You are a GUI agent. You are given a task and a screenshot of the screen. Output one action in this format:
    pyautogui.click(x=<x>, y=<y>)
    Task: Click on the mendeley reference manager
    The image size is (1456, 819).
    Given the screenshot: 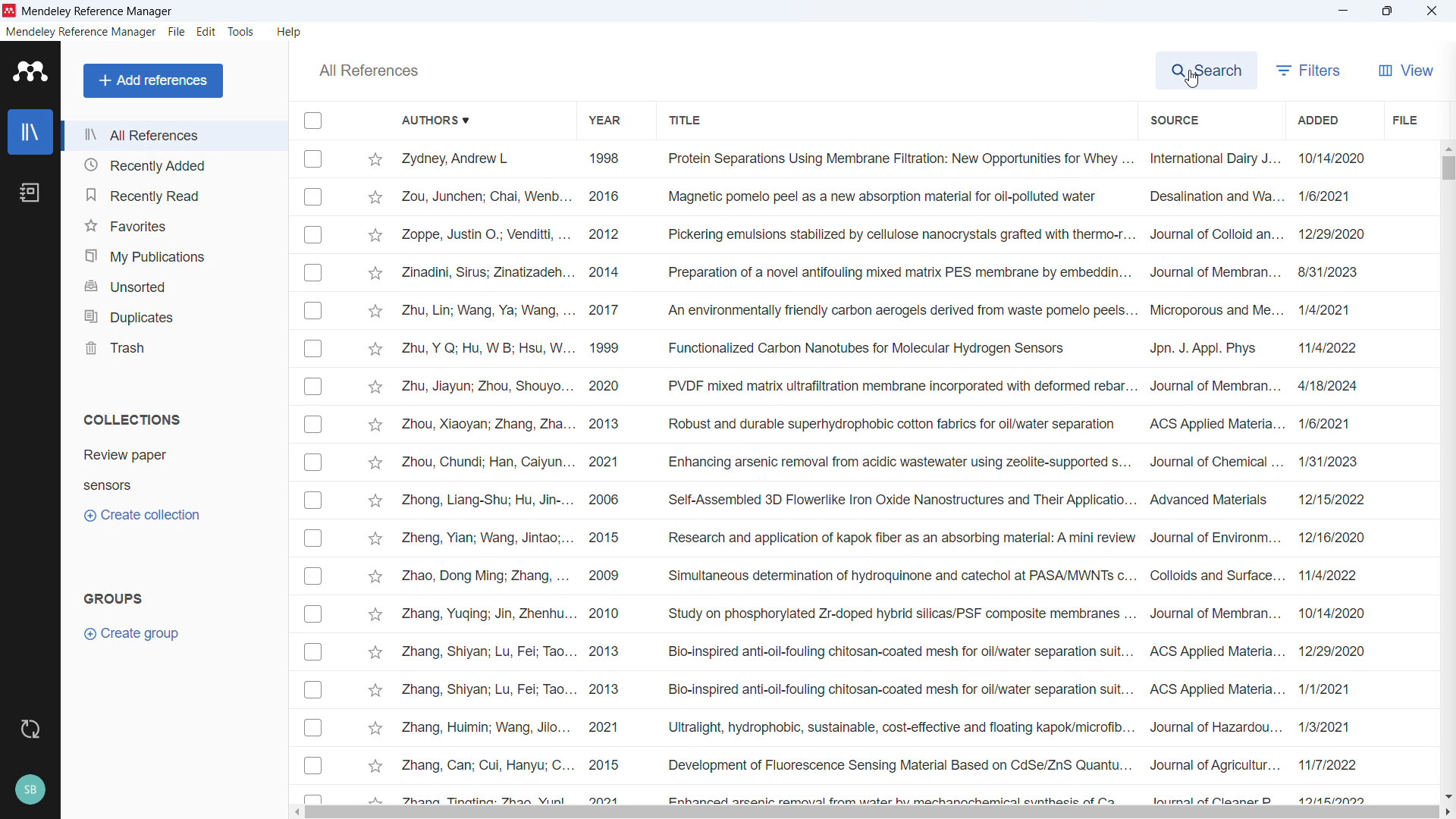 What is the action you would take?
    pyautogui.click(x=97, y=11)
    